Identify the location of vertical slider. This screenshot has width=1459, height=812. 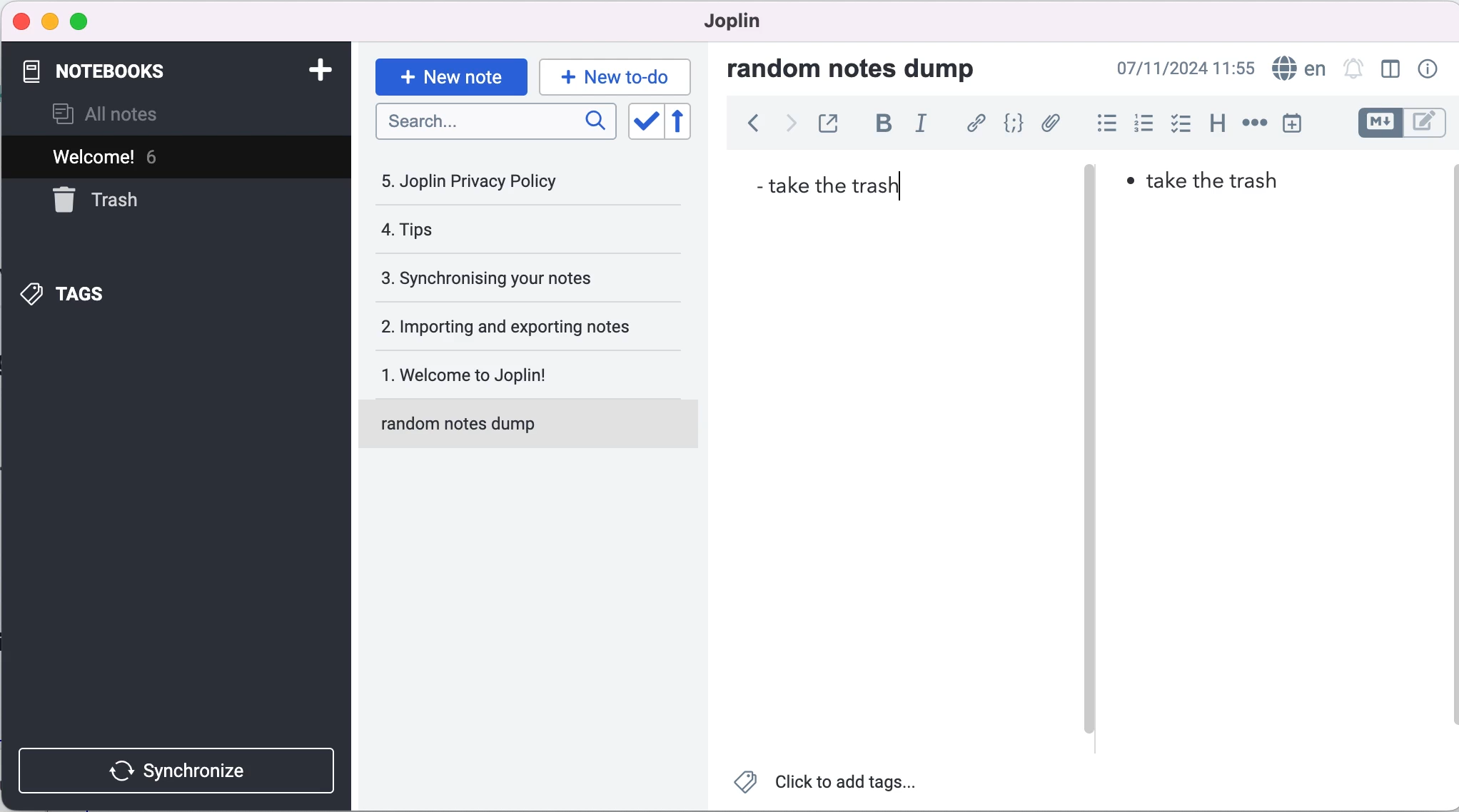
(1091, 200).